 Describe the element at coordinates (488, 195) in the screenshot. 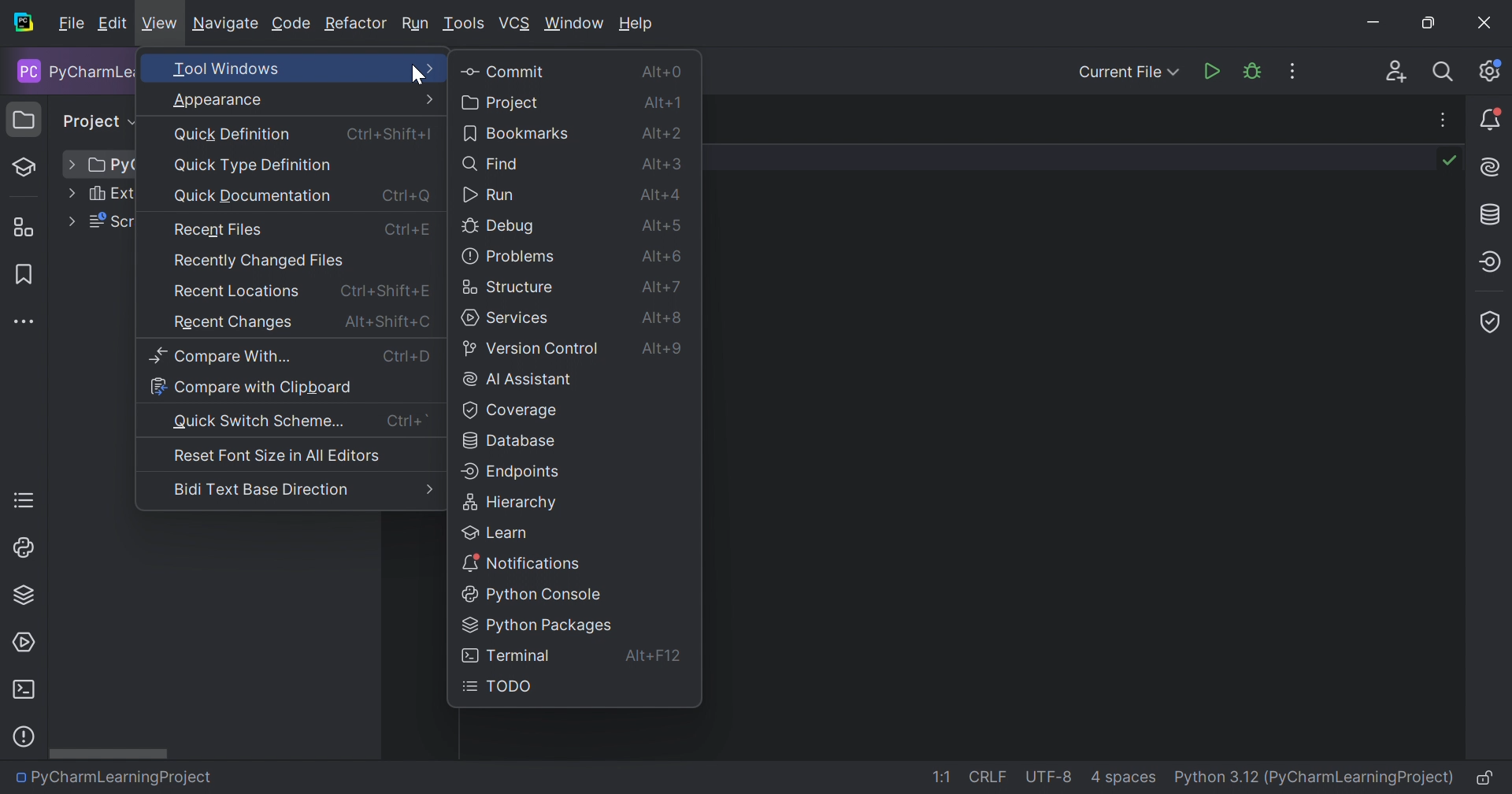

I see `Run` at that location.